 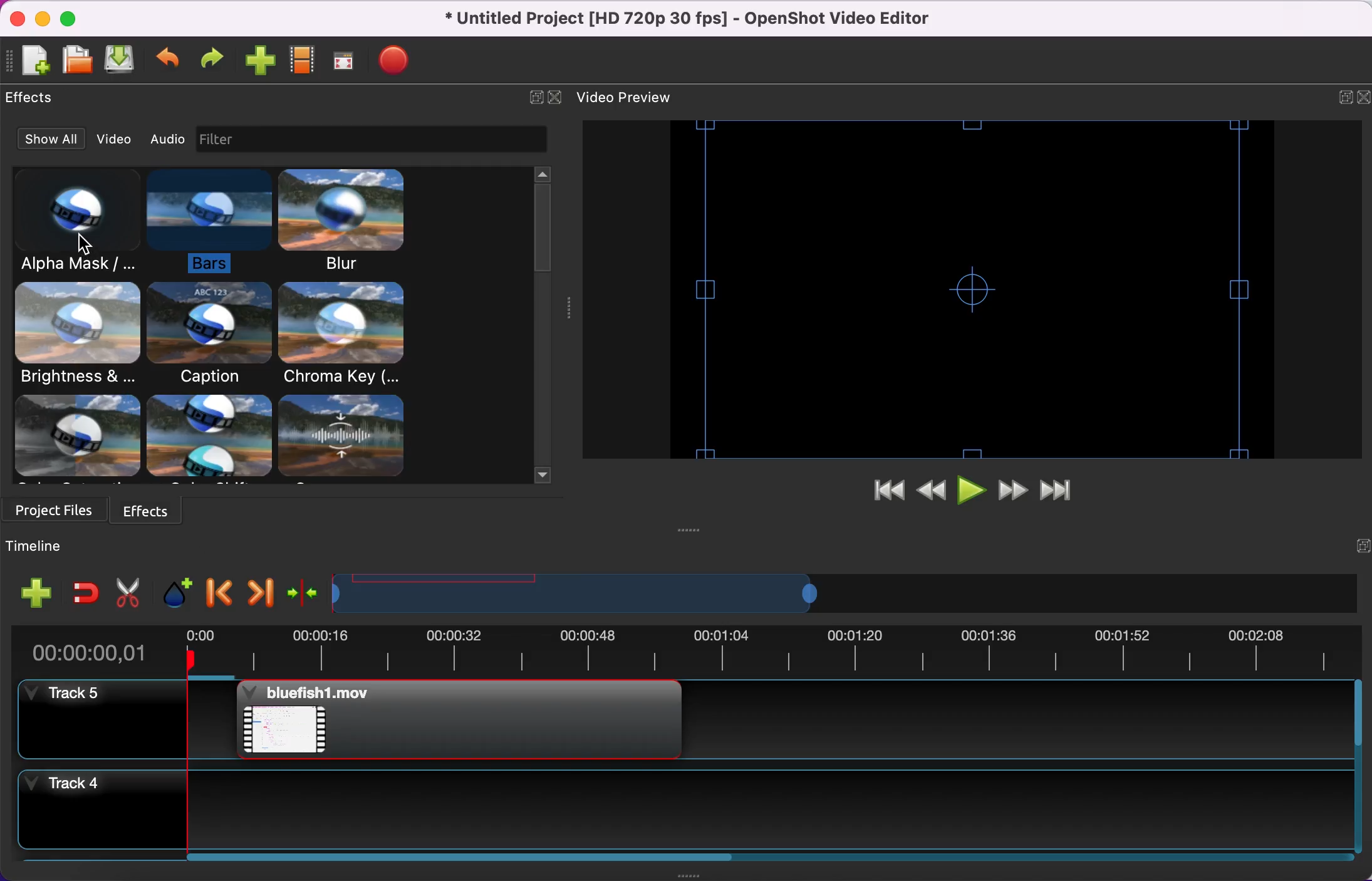 I want to click on jump to start, so click(x=881, y=493).